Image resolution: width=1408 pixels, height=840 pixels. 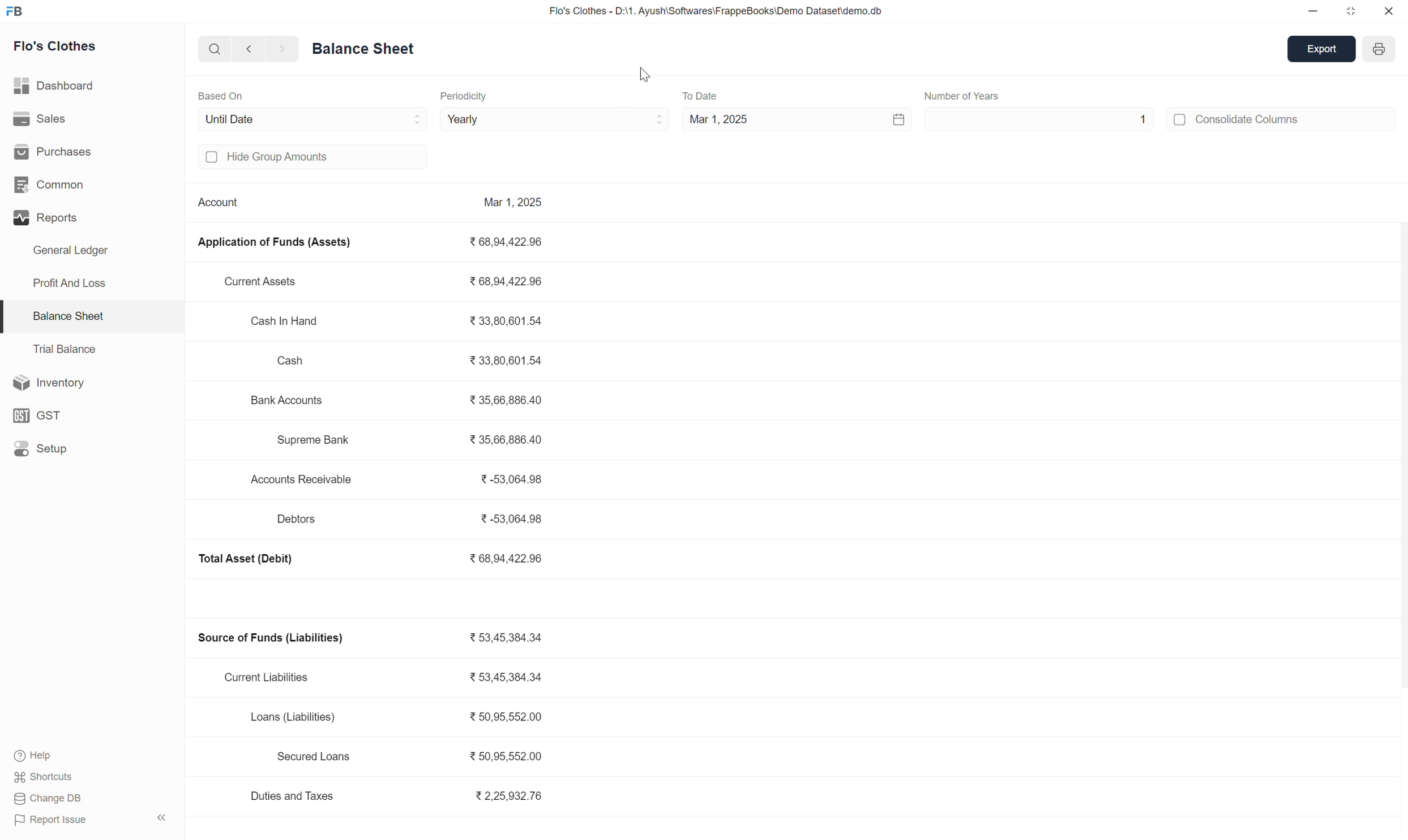 What do you see at coordinates (292, 362) in the screenshot?
I see `Cash` at bounding box center [292, 362].